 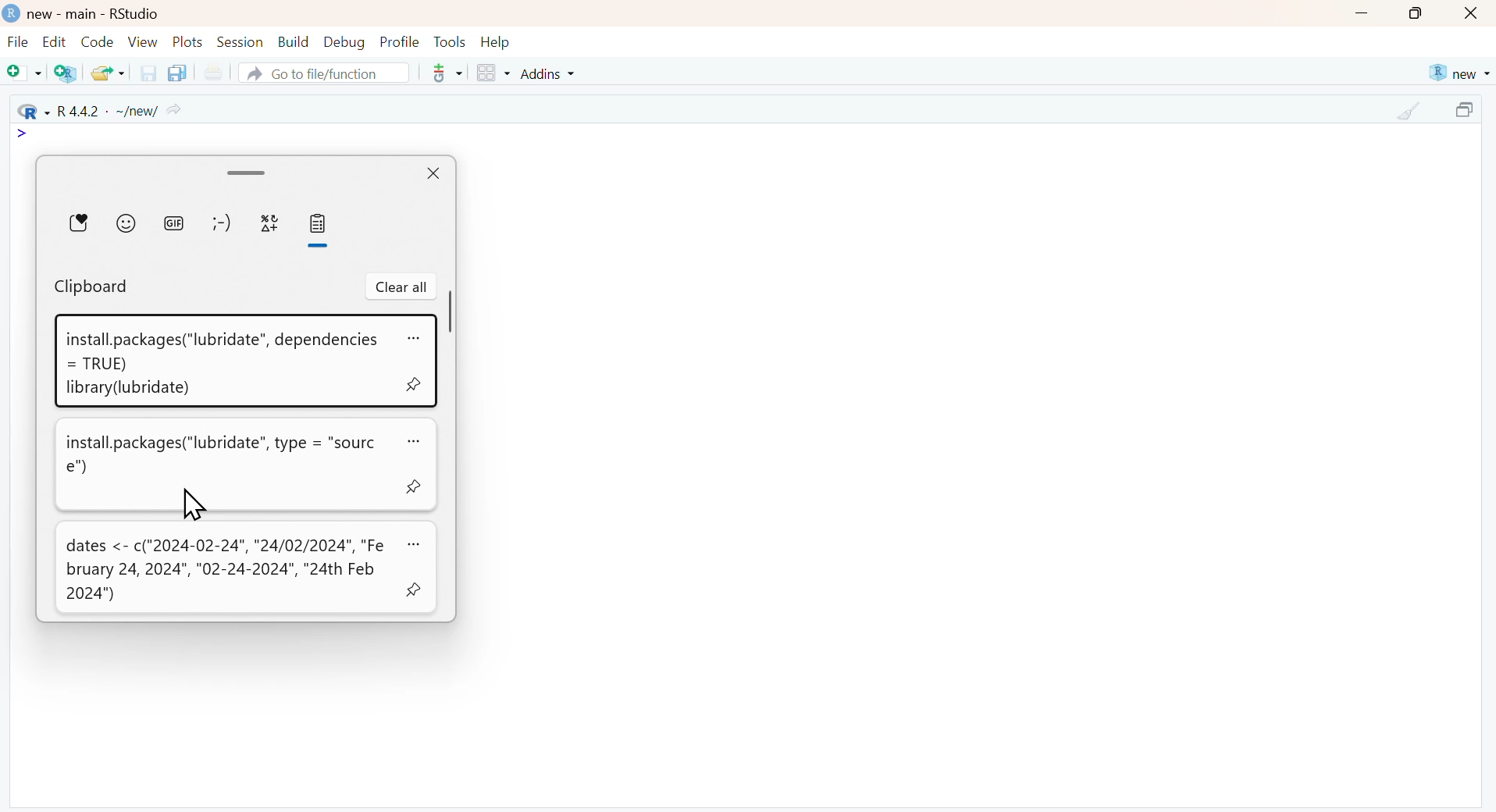 What do you see at coordinates (95, 41) in the screenshot?
I see `Code` at bounding box center [95, 41].